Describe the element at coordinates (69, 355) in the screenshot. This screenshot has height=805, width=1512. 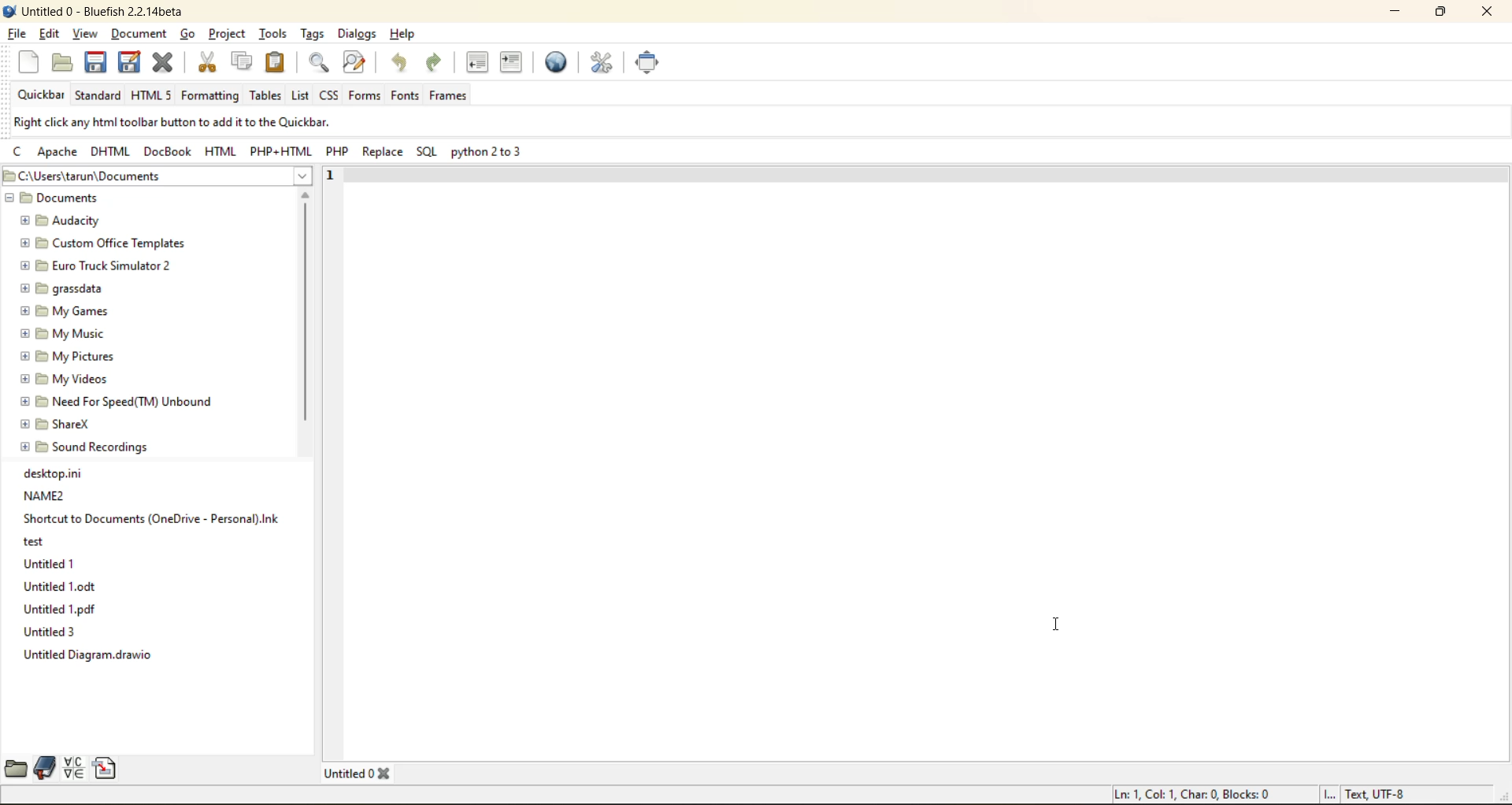
I see `# B My Pictures` at that location.